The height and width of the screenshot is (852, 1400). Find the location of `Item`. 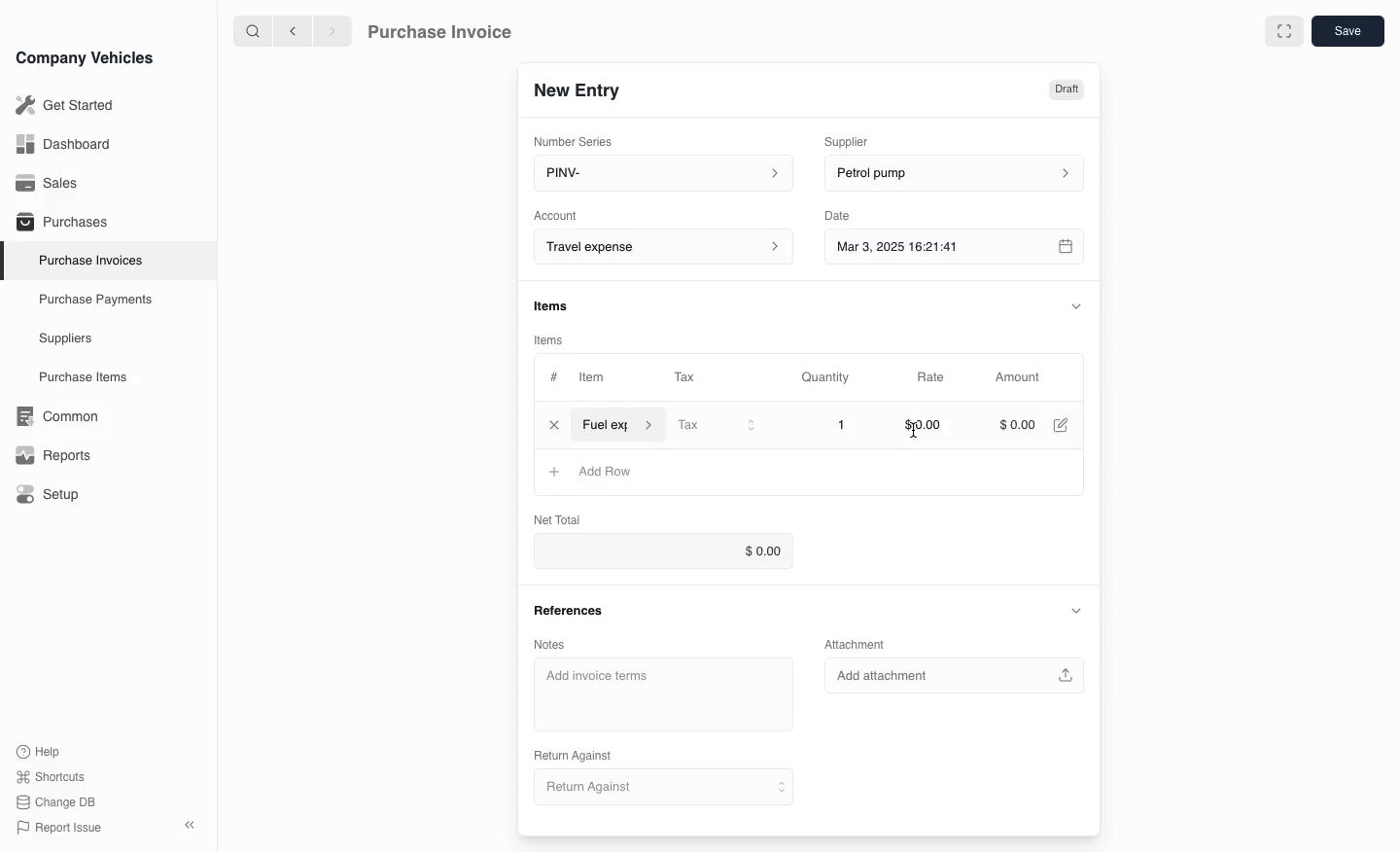

Item is located at coordinates (590, 379).